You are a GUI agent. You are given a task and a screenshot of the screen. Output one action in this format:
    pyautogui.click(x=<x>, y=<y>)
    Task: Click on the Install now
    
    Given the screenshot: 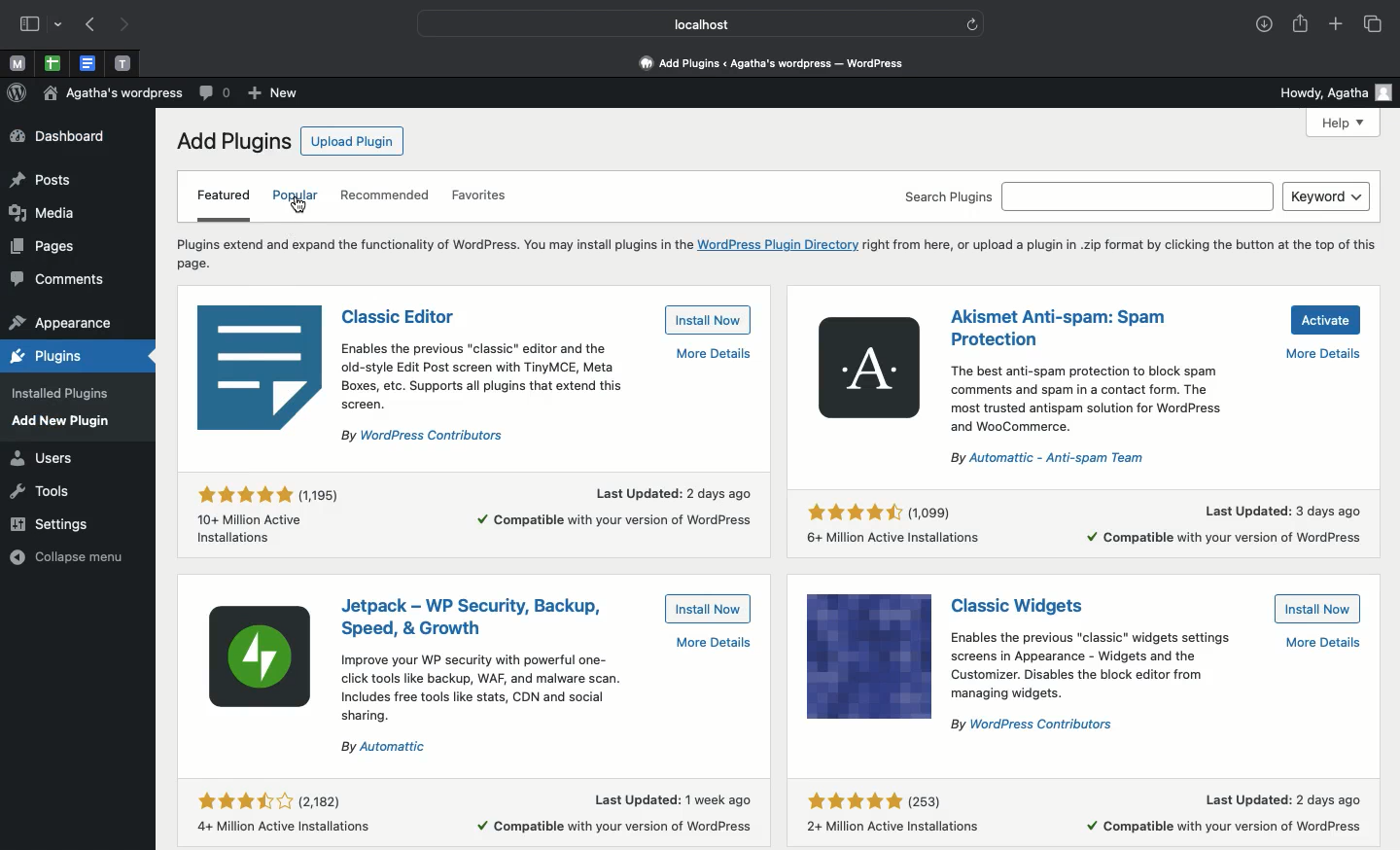 What is the action you would take?
    pyautogui.click(x=709, y=608)
    